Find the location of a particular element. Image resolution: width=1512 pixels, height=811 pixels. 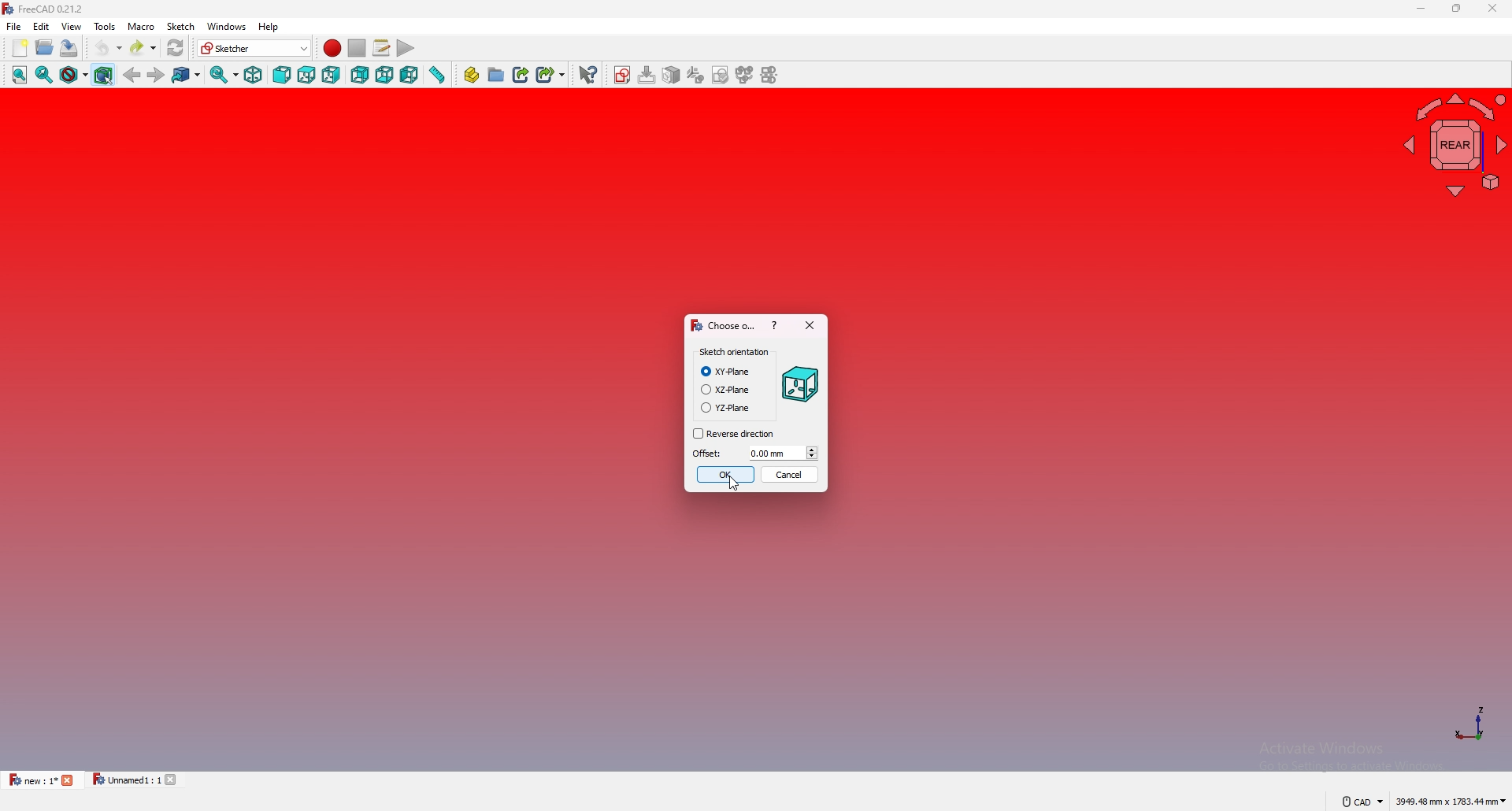

file is located at coordinates (14, 26).